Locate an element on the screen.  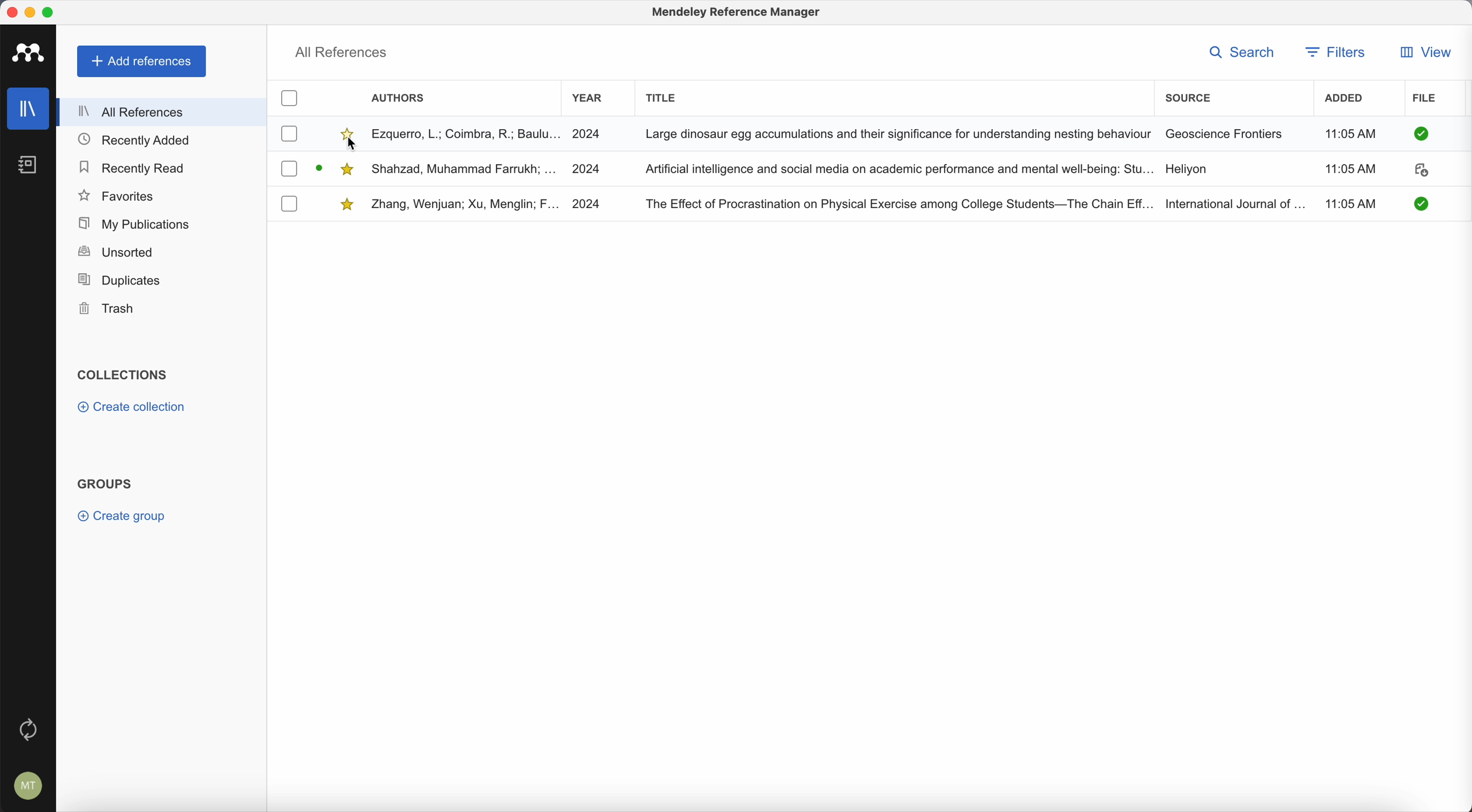
authors is located at coordinates (401, 99).